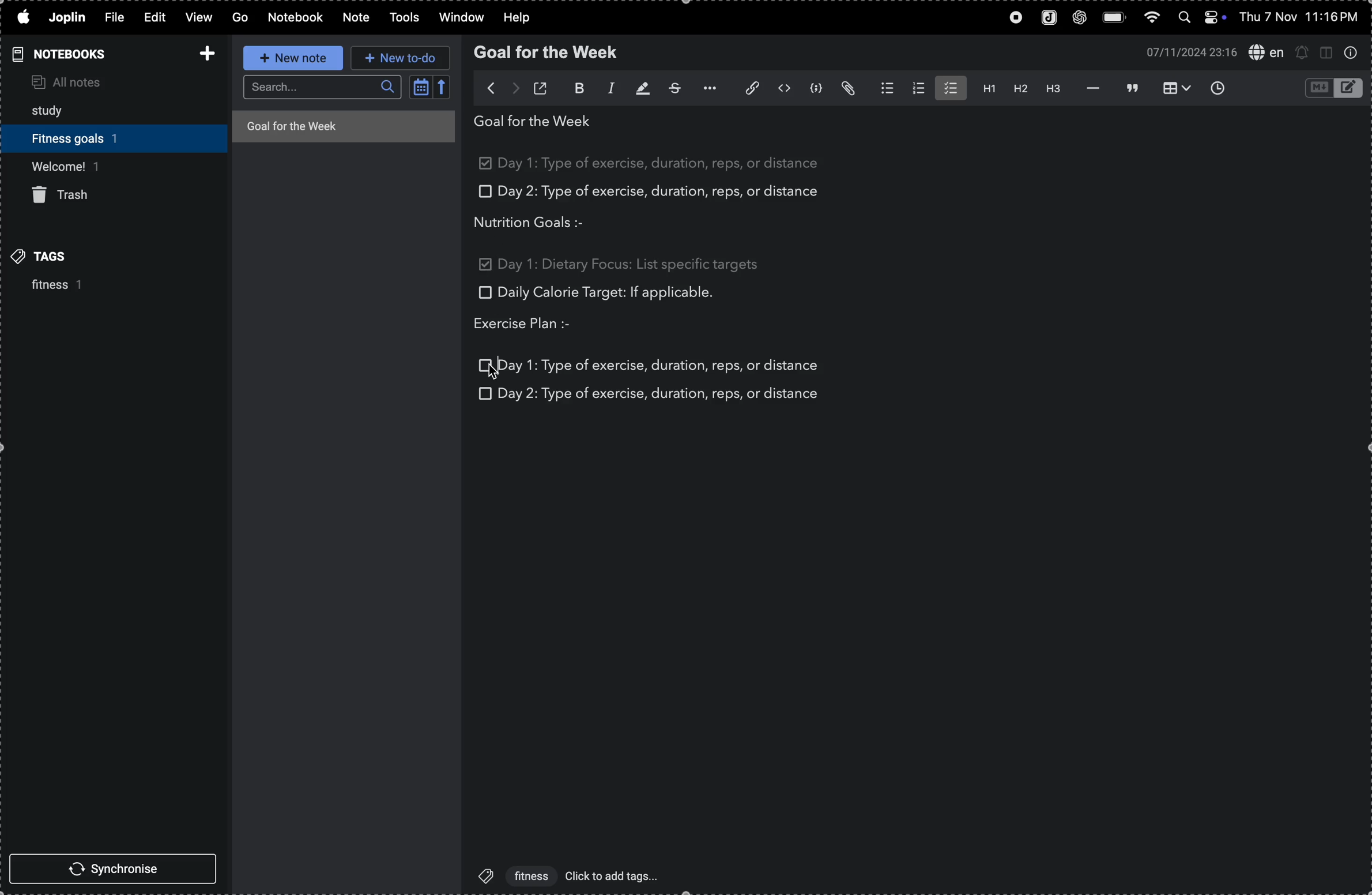 This screenshot has height=895, width=1372. I want to click on heading 3, so click(1051, 88).